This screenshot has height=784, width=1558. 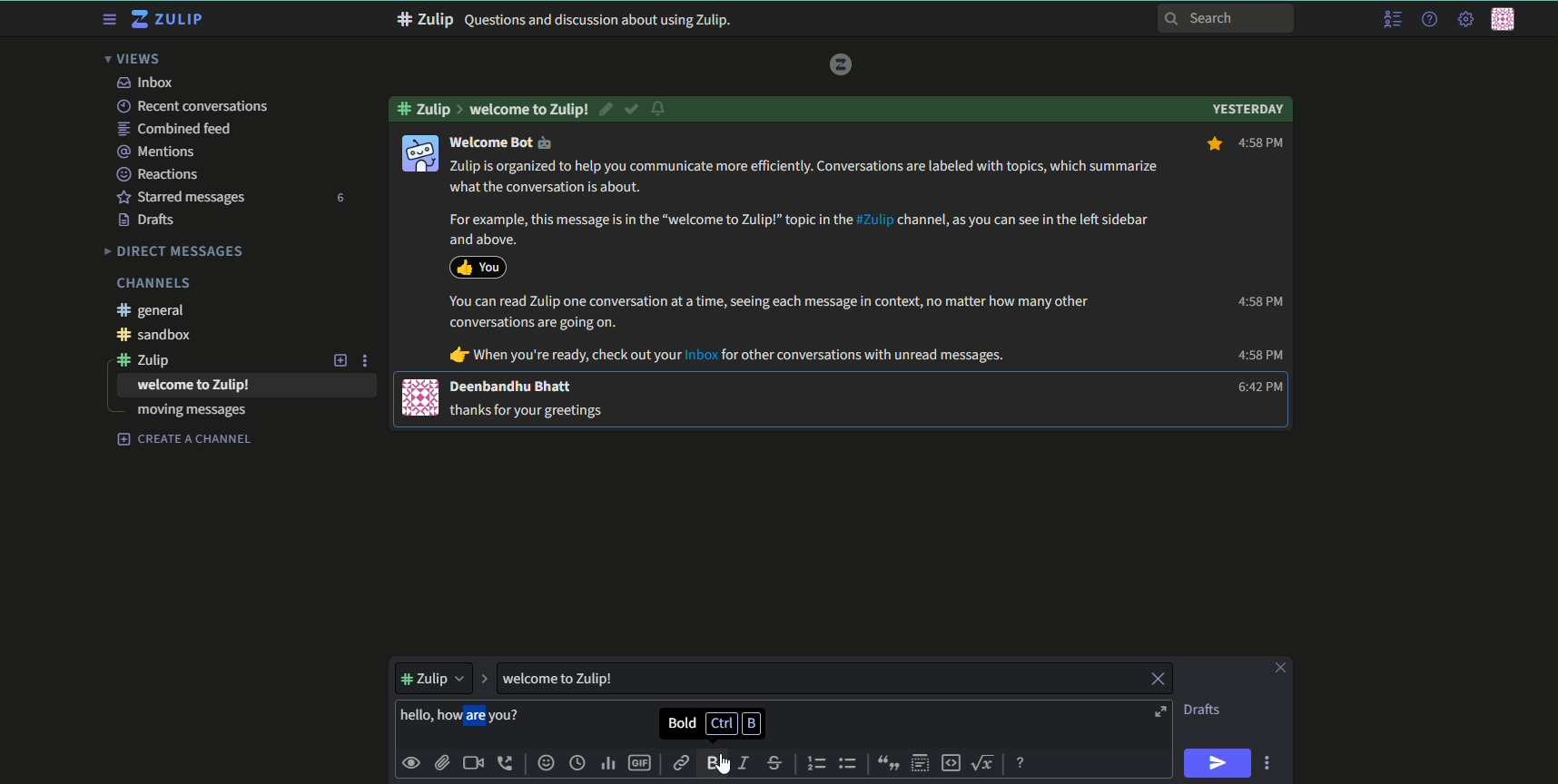 I want to click on starred messages, so click(x=181, y=196).